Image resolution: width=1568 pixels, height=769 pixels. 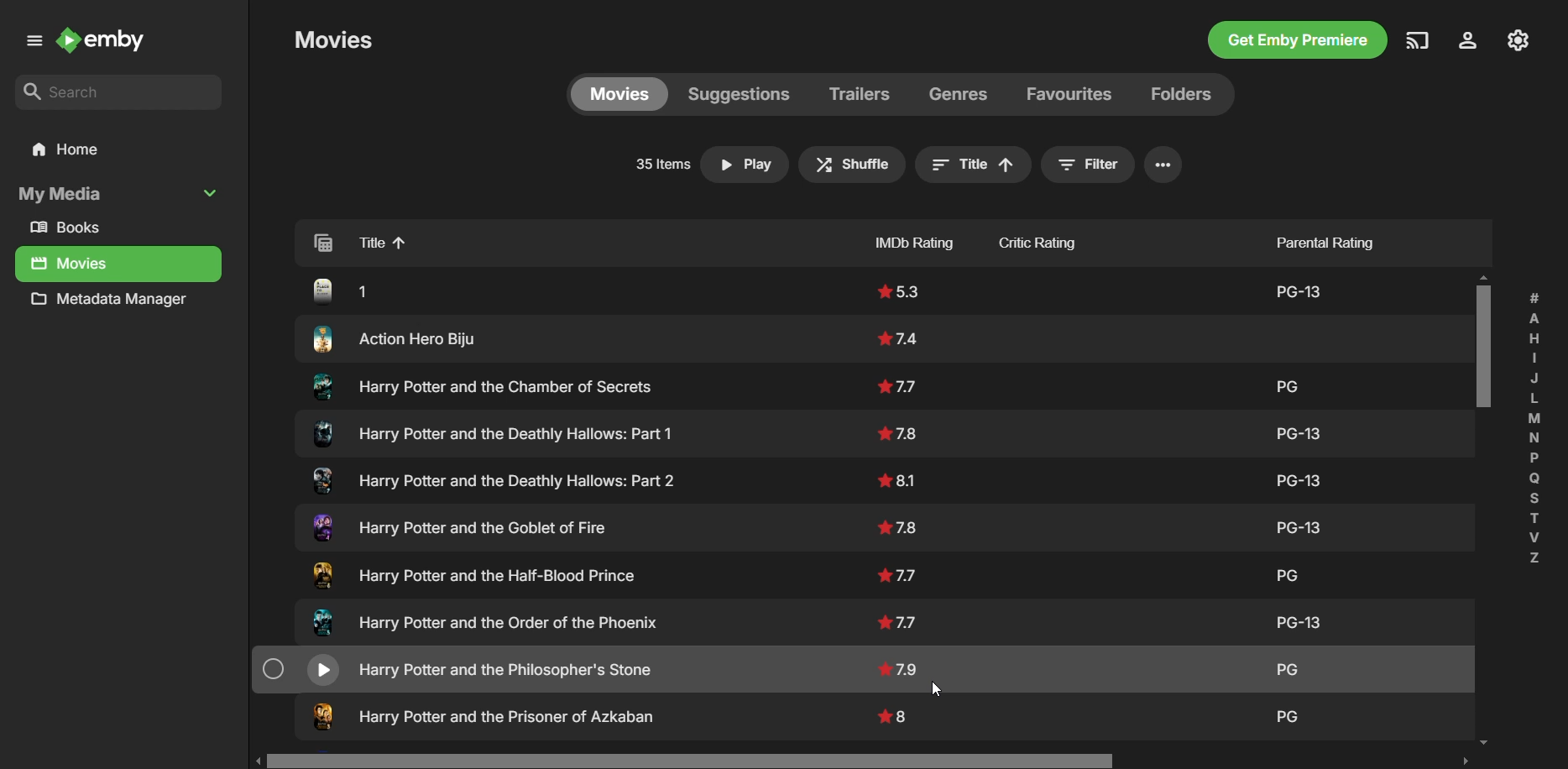 What do you see at coordinates (1485, 343) in the screenshot?
I see `` at bounding box center [1485, 343].